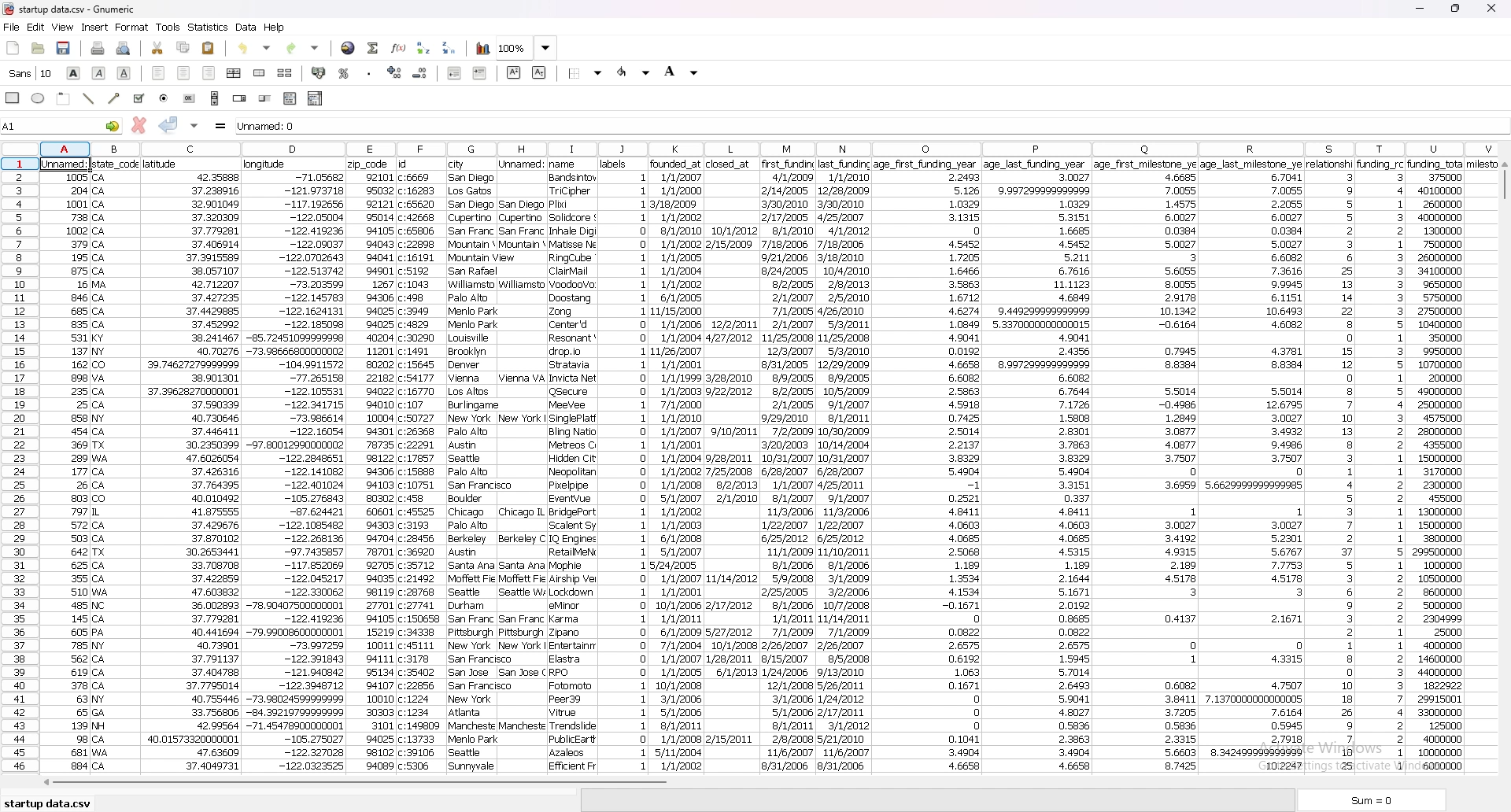 The image size is (1511, 812). What do you see at coordinates (767, 147) in the screenshot?
I see `columns` at bounding box center [767, 147].